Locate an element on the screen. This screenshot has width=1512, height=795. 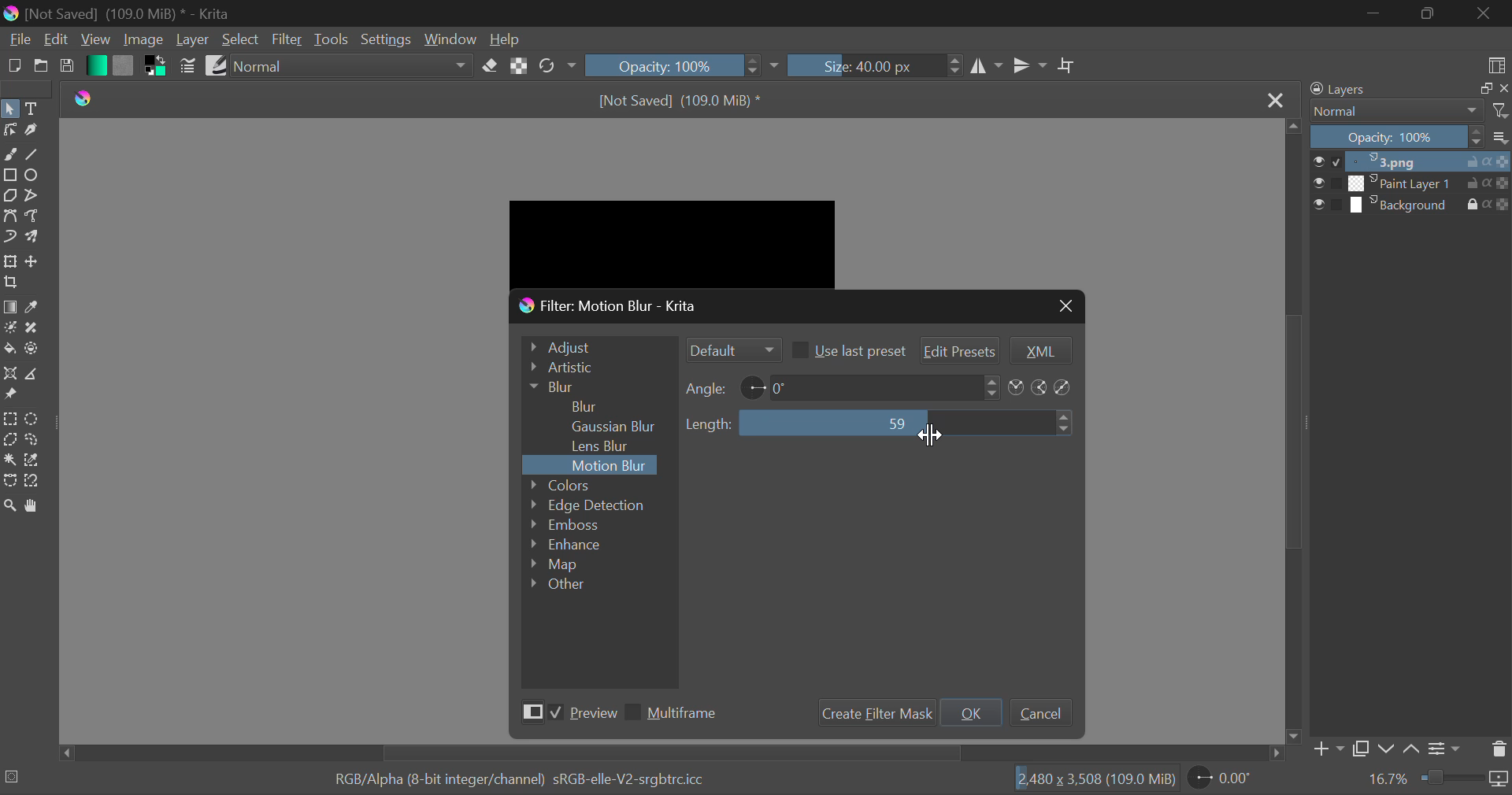
XML is located at coordinates (1039, 351).